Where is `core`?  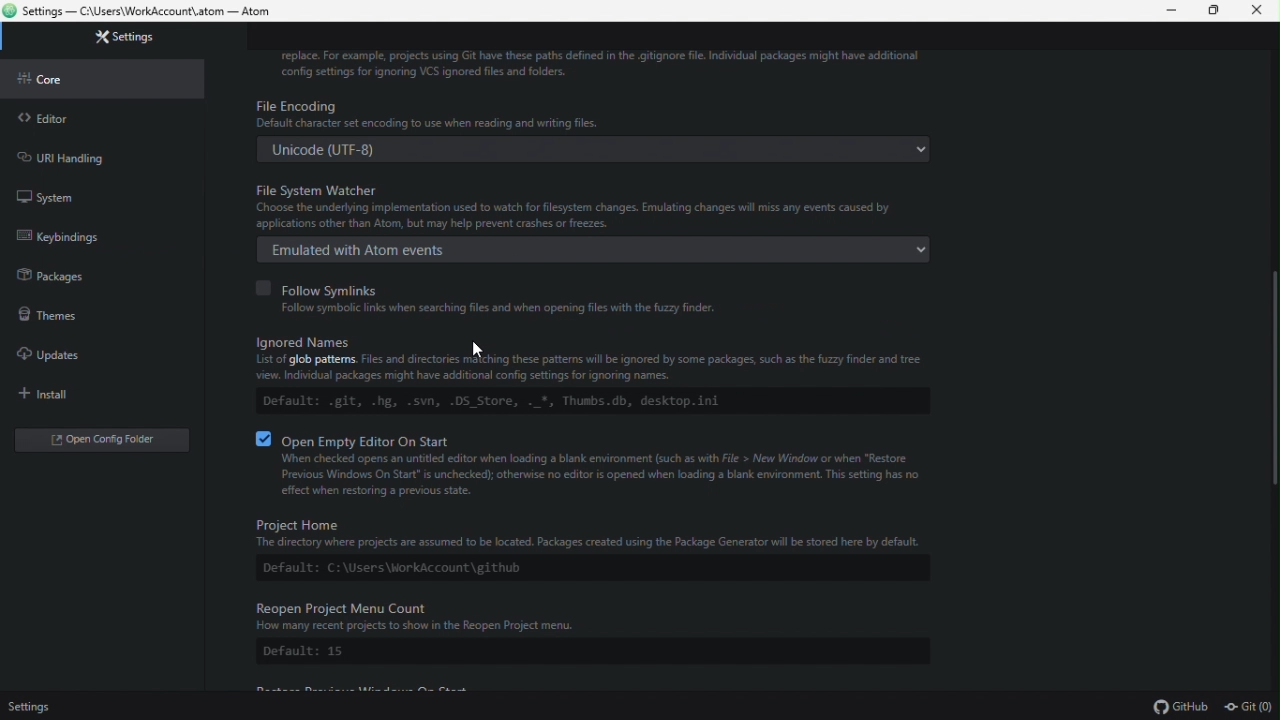
core is located at coordinates (103, 77).